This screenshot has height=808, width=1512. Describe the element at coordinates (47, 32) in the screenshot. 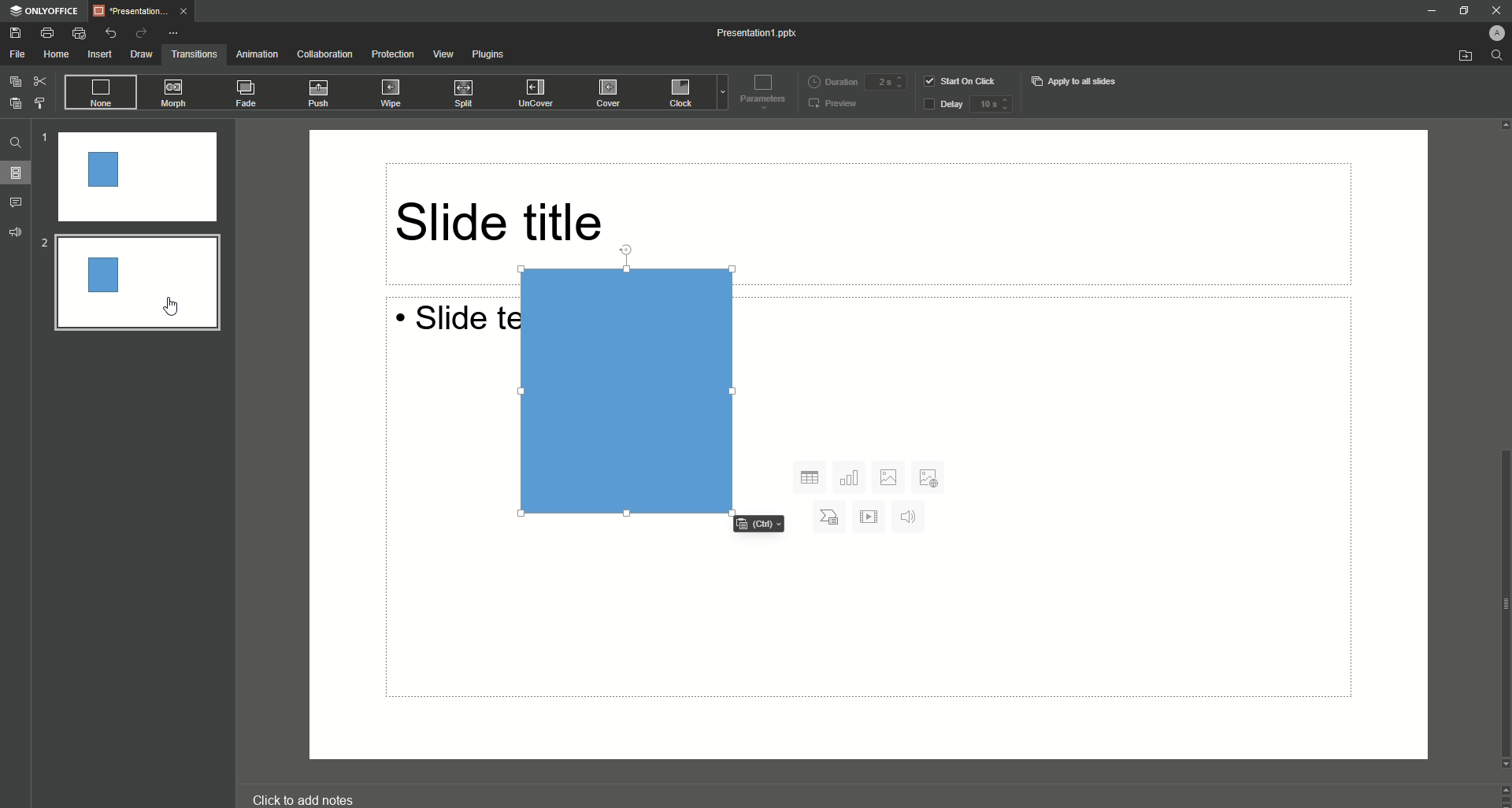

I see `Print` at that location.